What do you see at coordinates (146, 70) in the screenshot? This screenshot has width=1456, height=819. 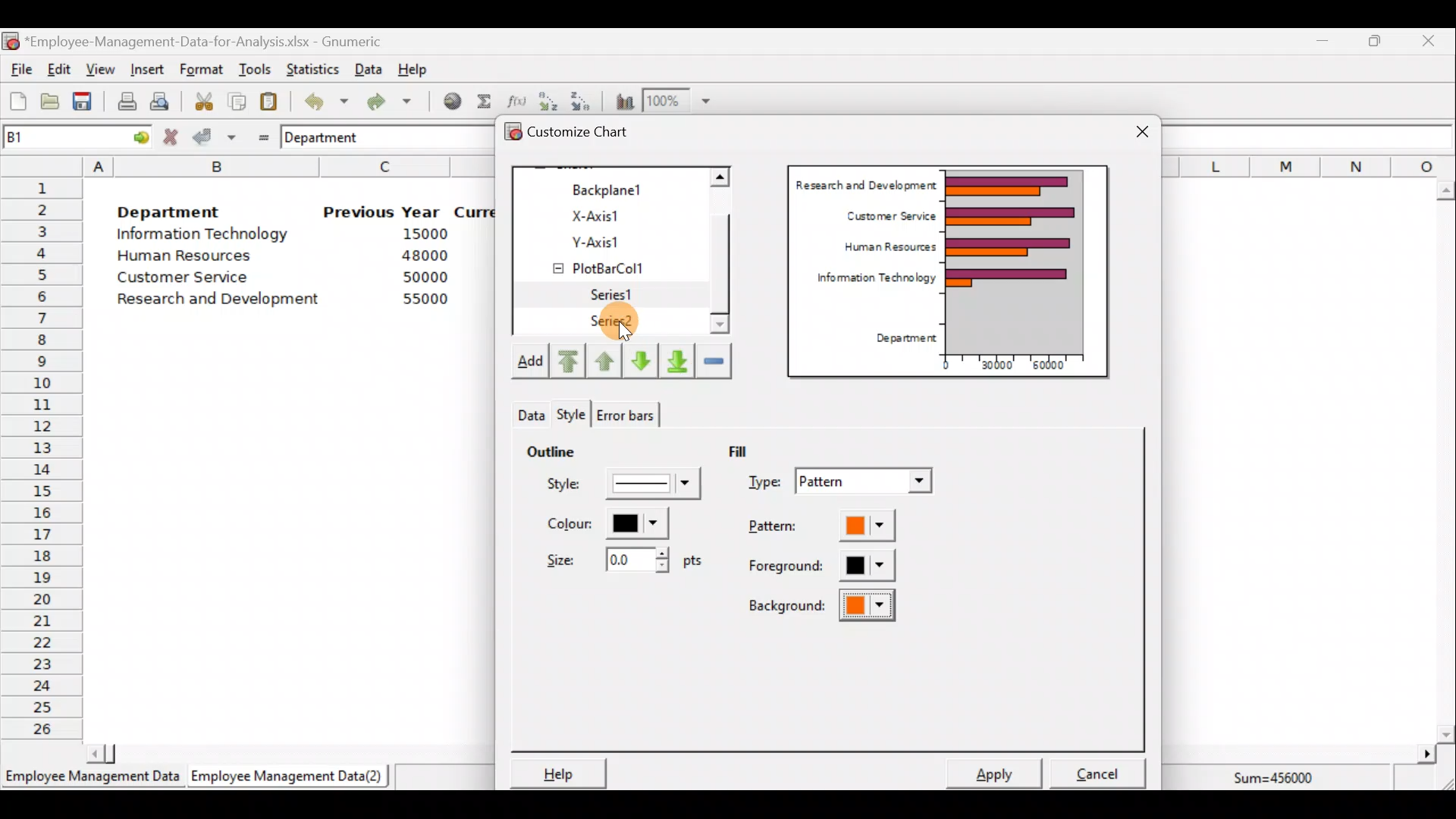 I see `Insert` at bounding box center [146, 70].